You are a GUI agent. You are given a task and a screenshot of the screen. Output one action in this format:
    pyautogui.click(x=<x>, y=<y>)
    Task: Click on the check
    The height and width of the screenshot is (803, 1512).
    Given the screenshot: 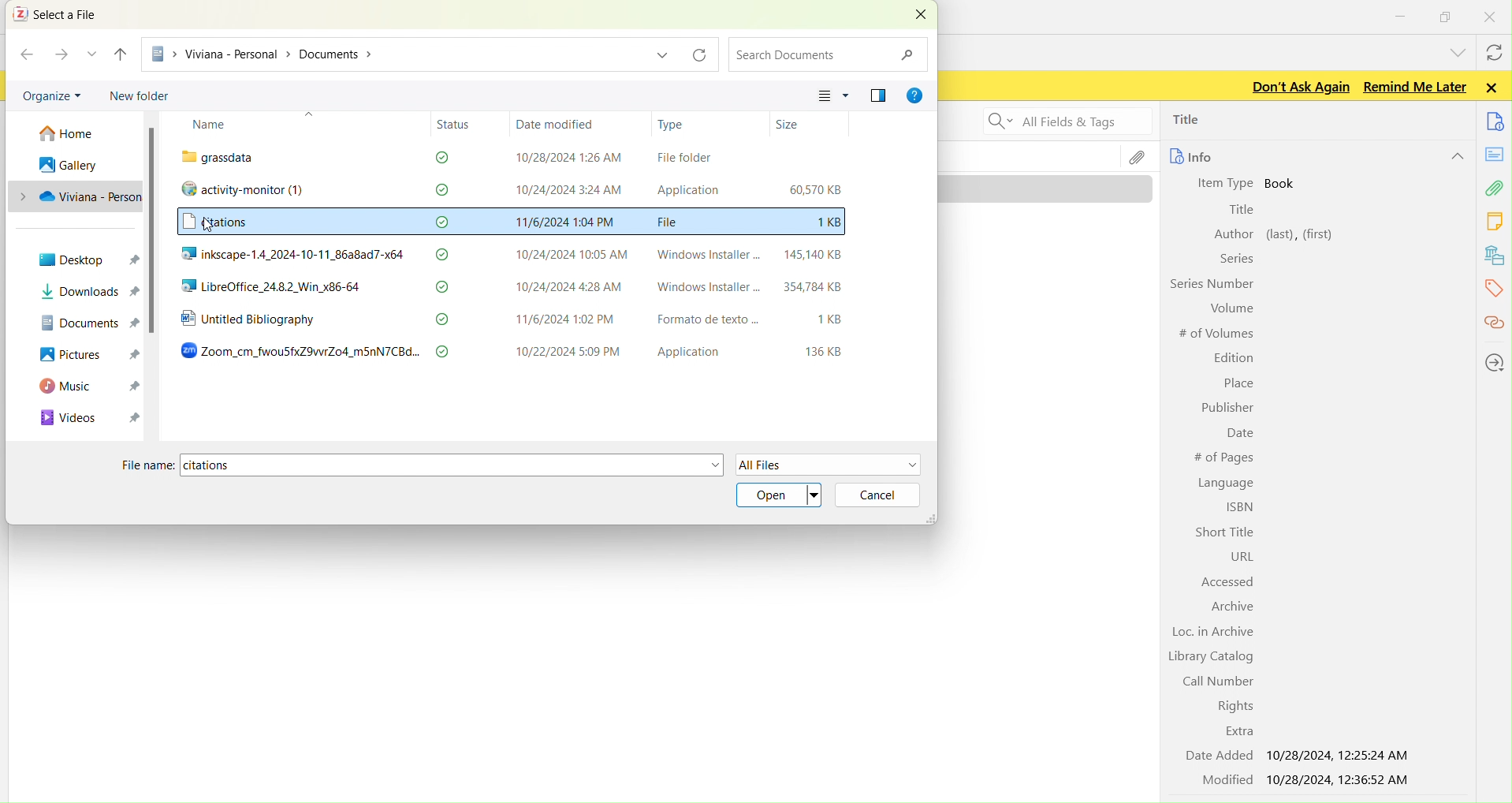 What is the action you would take?
    pyautogui.click(x=444, y=222)
    